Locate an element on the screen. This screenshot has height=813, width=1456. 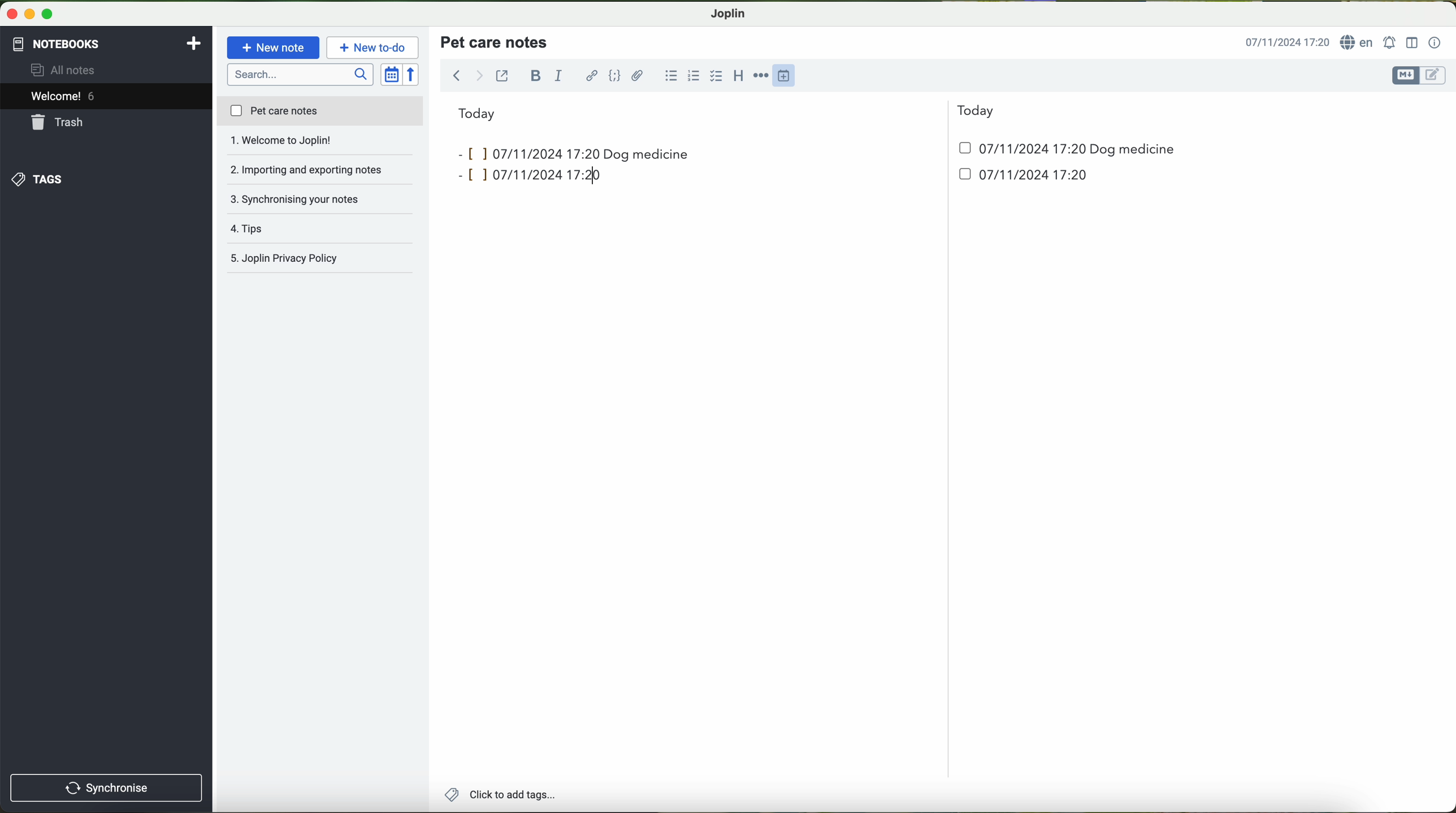
Joplin is located at coordinates (729, 12).